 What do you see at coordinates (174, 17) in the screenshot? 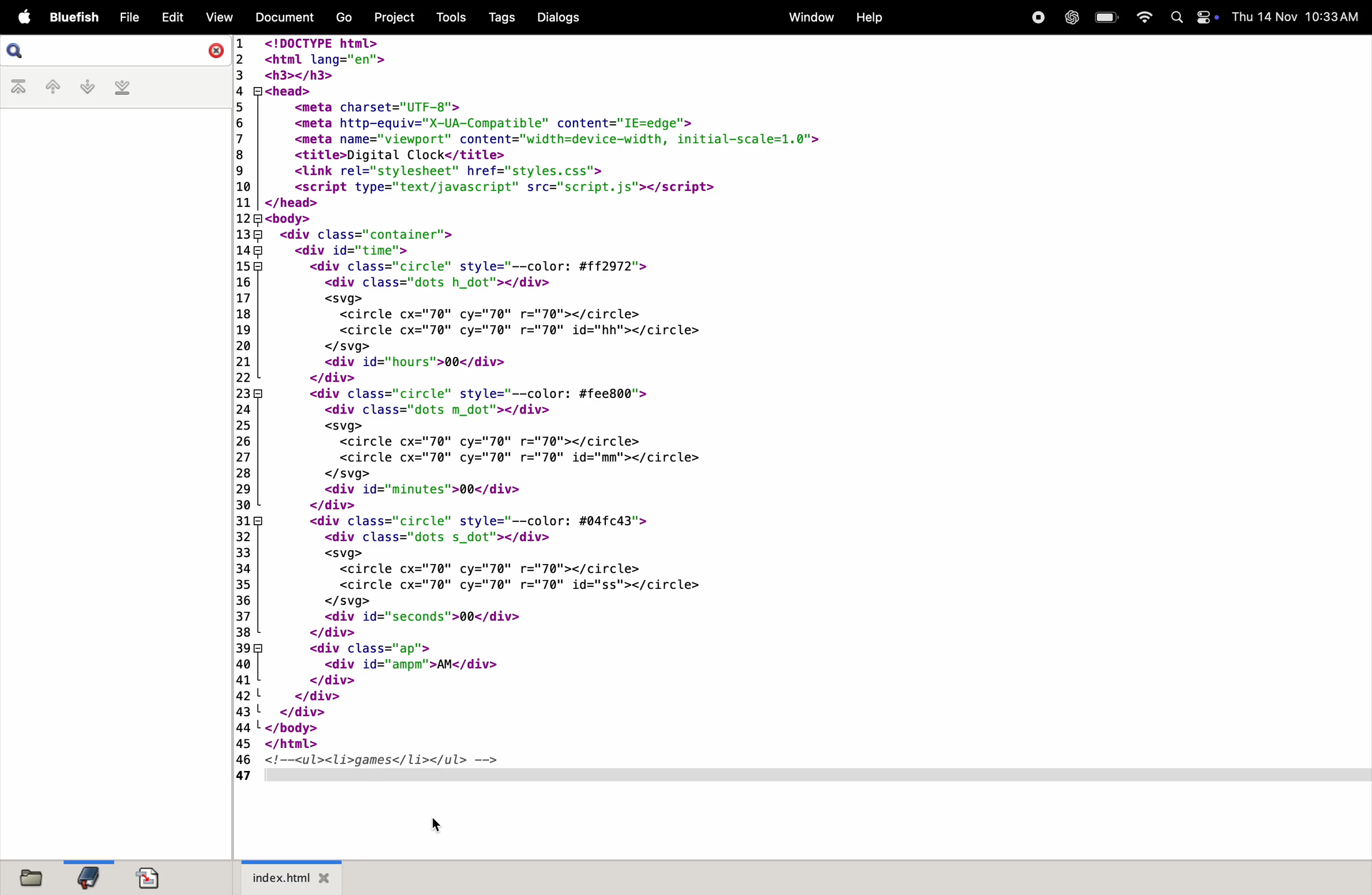
I see `Edit` at bounding box center [174, 17].